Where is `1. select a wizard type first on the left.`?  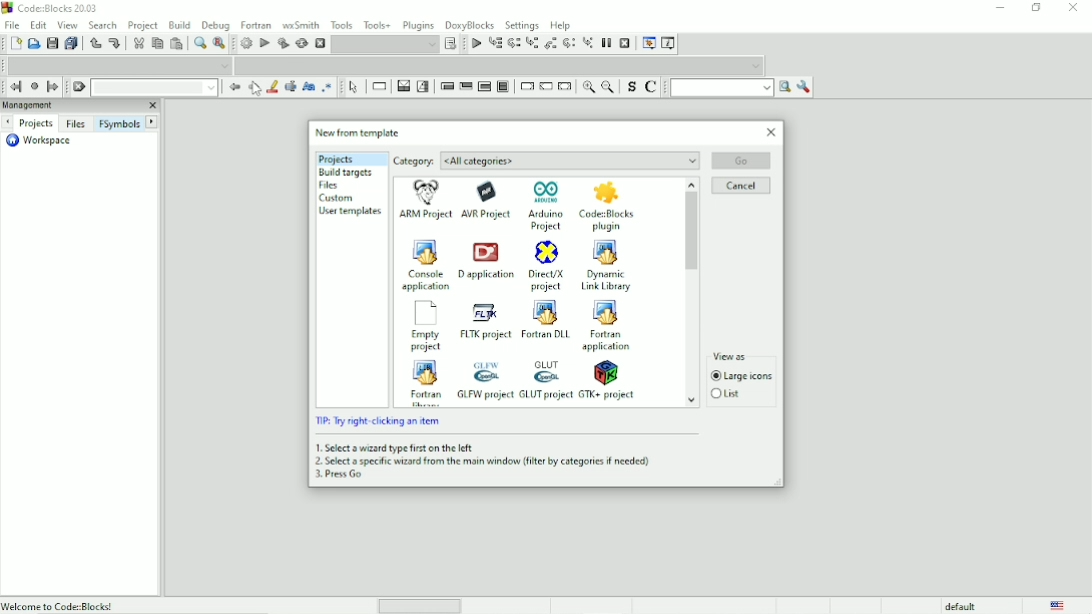
1. select a wizard type first on the left. is located at coordinates (395, 446).